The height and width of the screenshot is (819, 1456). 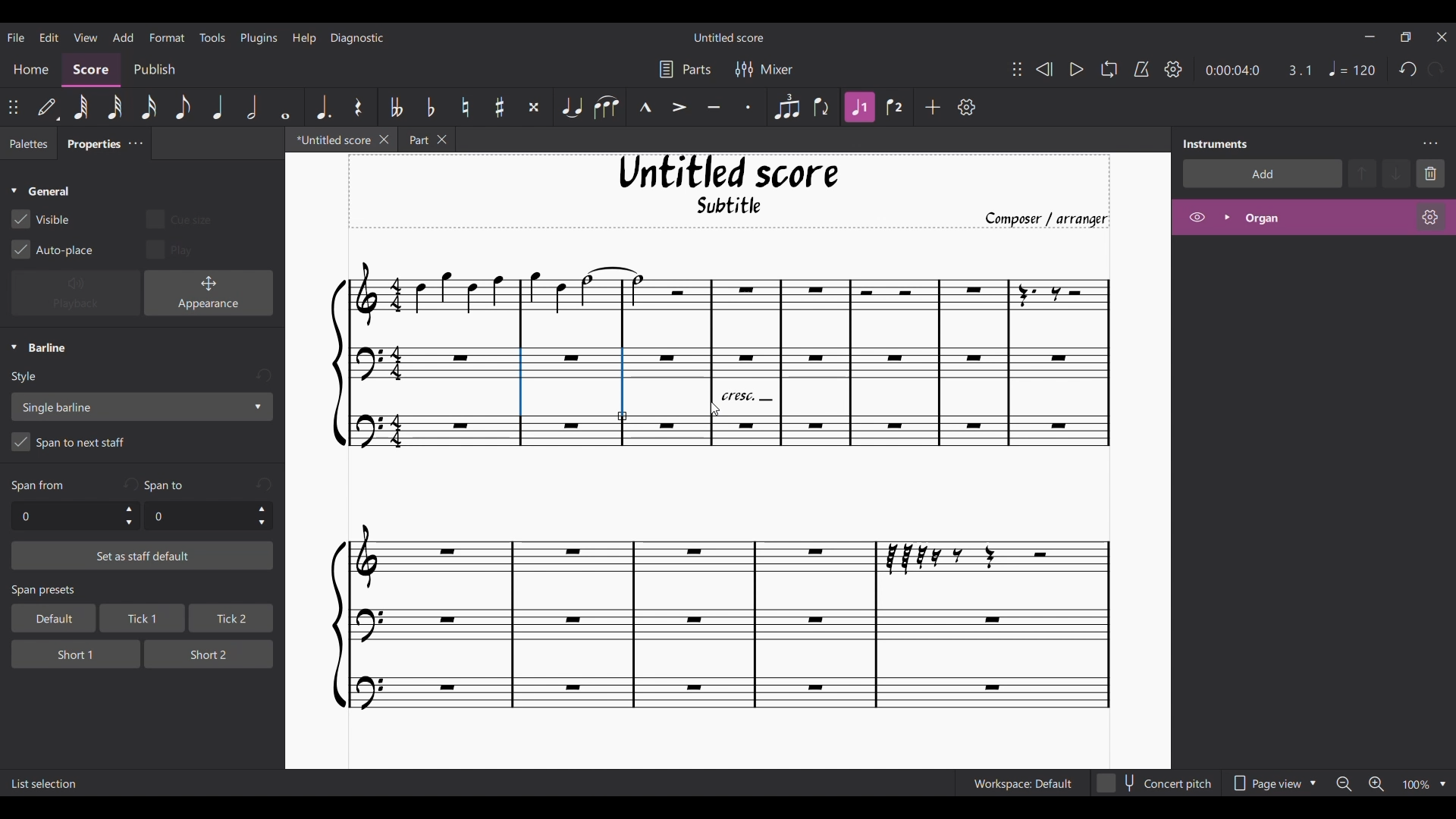 I want to click on Home section, so click(x=32, y=69).